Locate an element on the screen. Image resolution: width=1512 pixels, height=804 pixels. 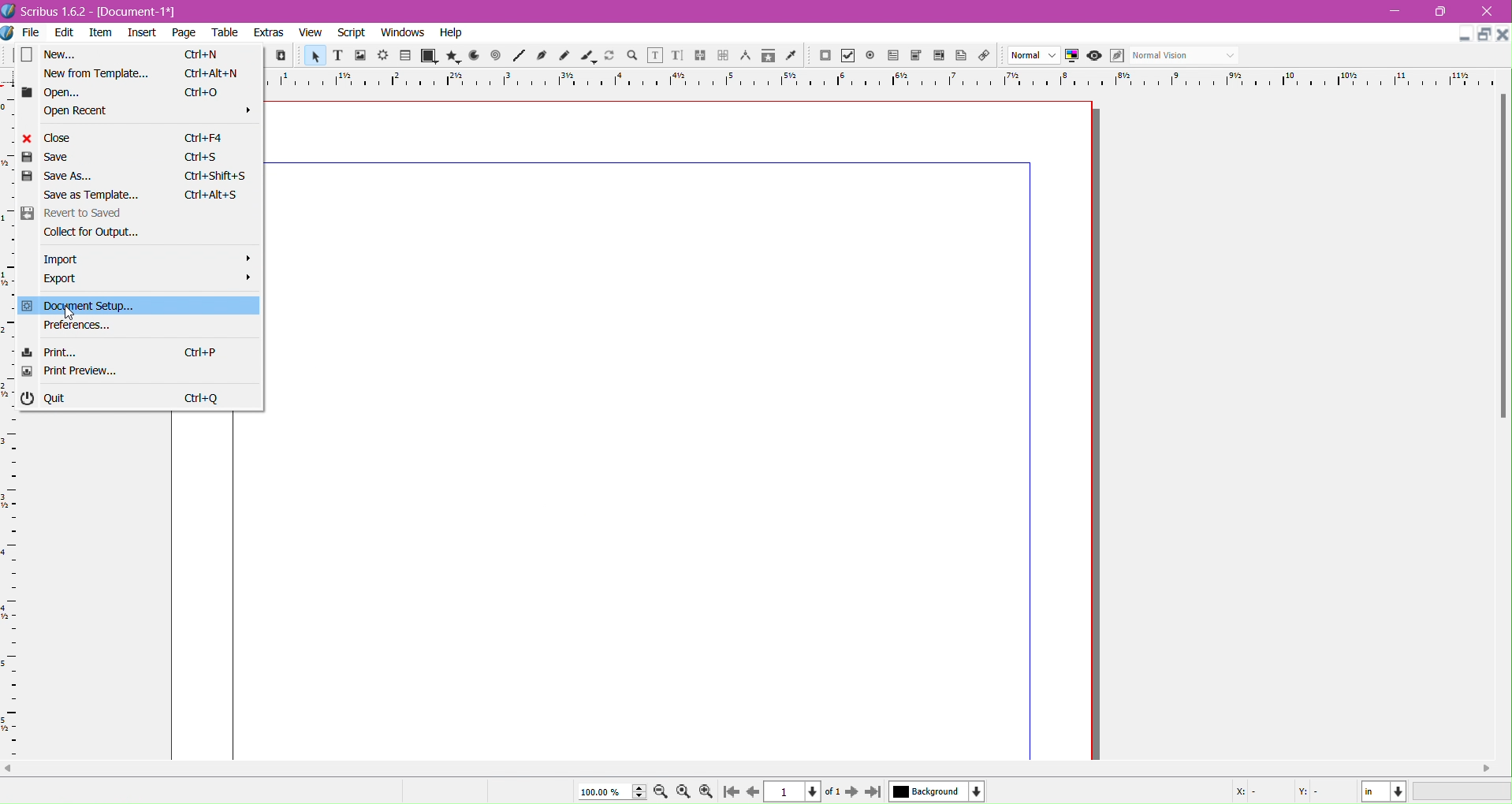
open recent is located at coordinates (149, 110).